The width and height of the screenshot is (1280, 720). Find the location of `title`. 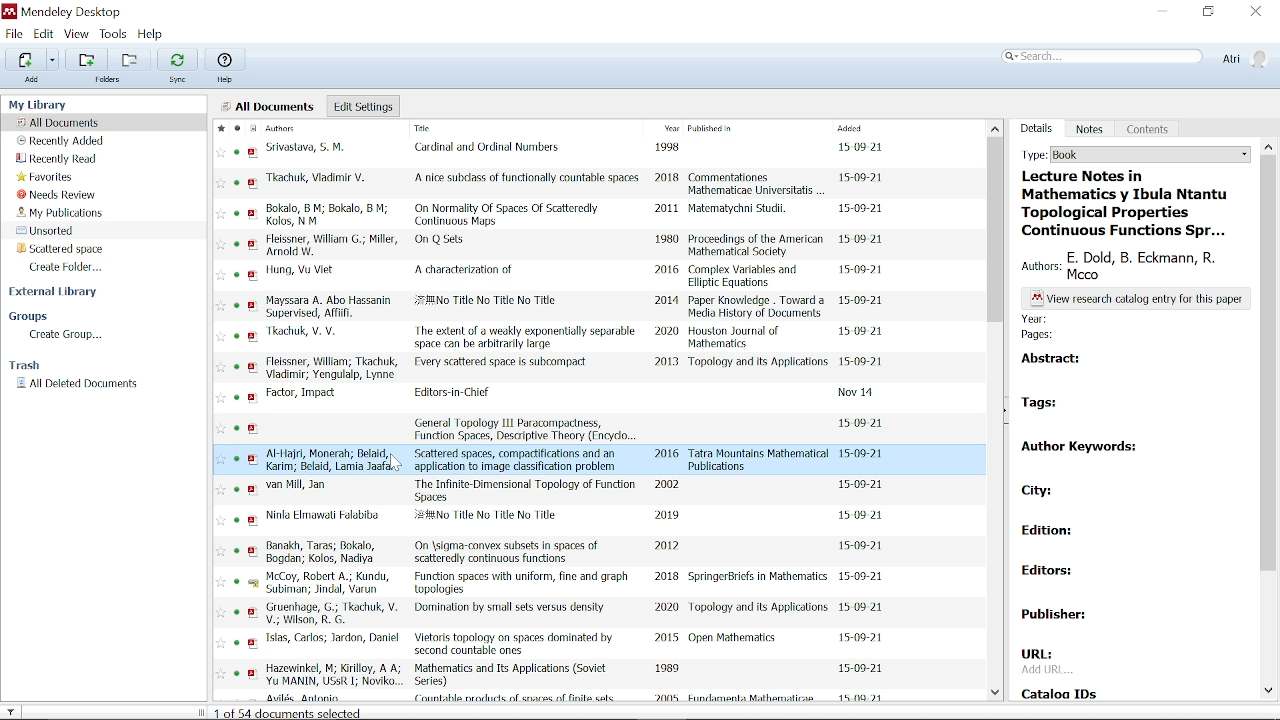

title is located at coordinates (504, 363).